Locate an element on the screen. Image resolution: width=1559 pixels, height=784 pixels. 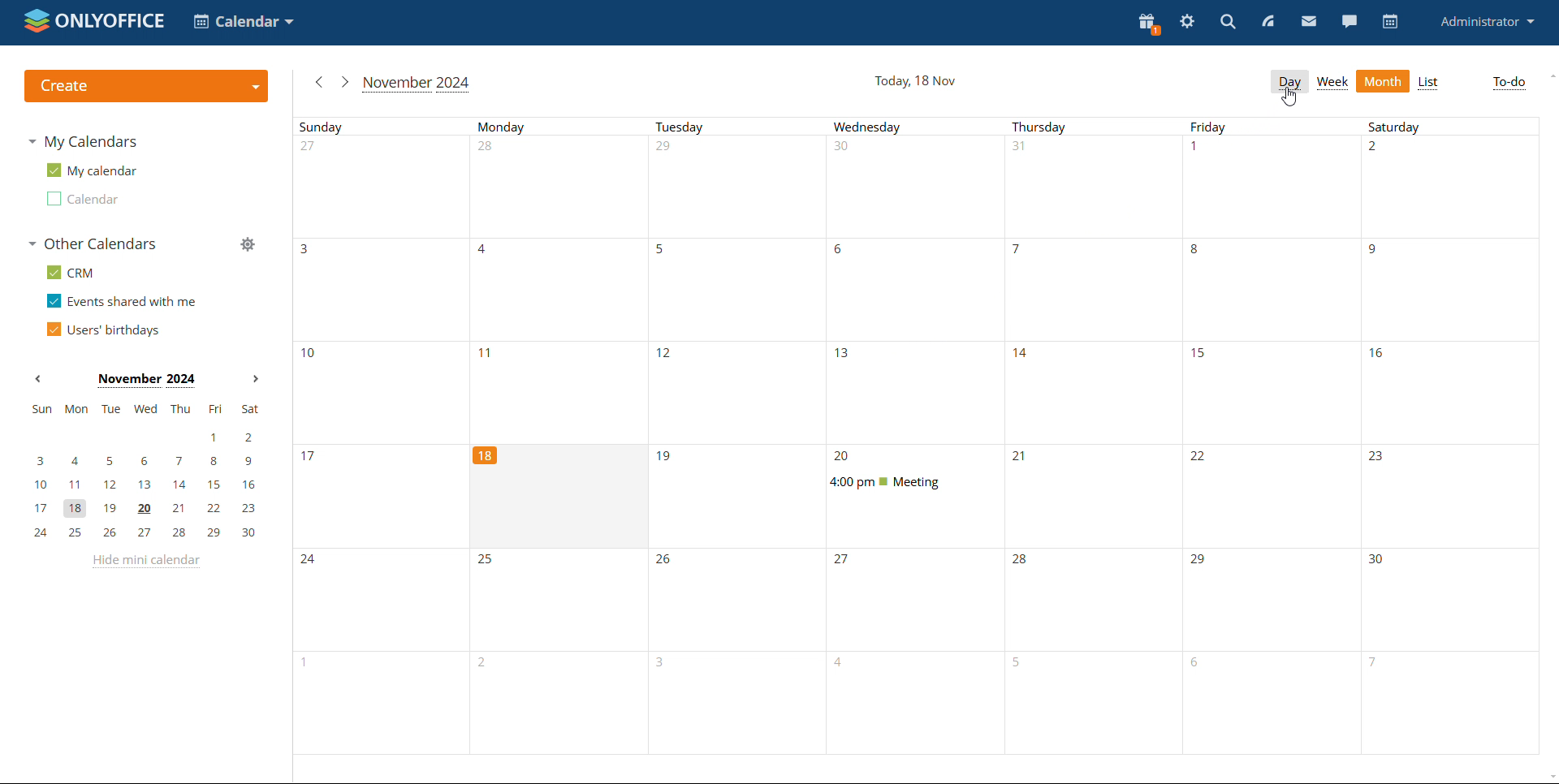
20 is located at coordinates (844, 455).